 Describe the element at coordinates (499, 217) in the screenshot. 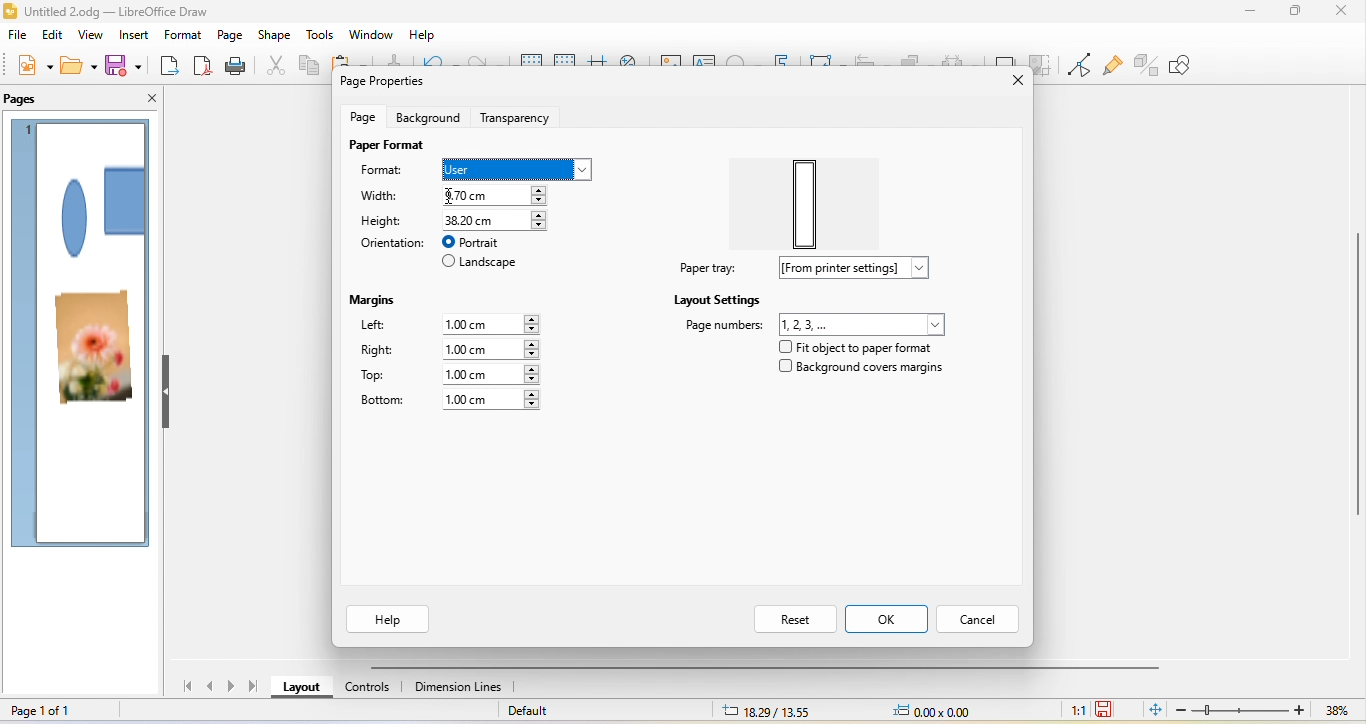

I see `38.20 cm` at that location.